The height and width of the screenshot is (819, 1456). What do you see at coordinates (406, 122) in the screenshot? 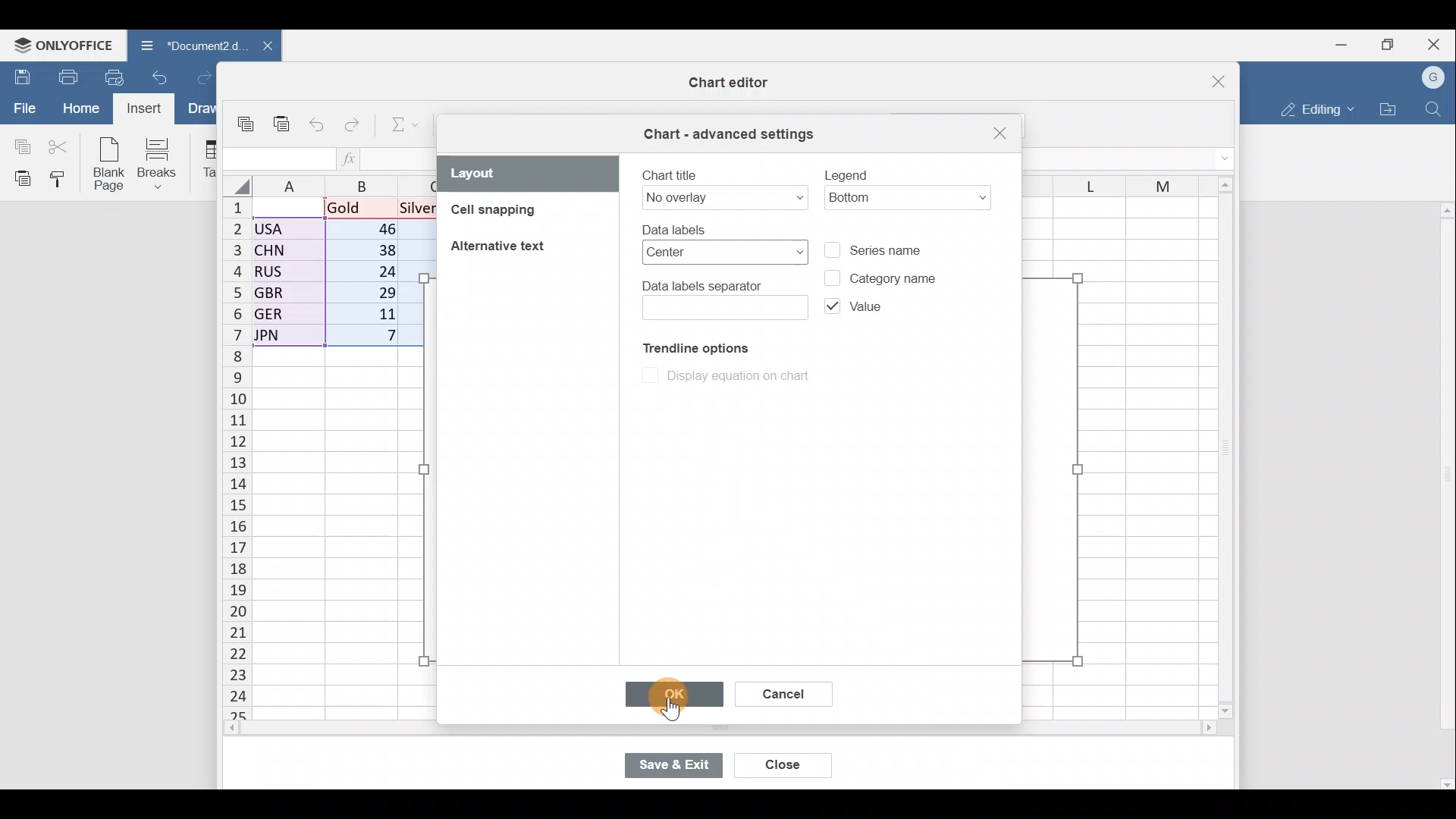
I see `Summation` at bounding box center [406, 122].